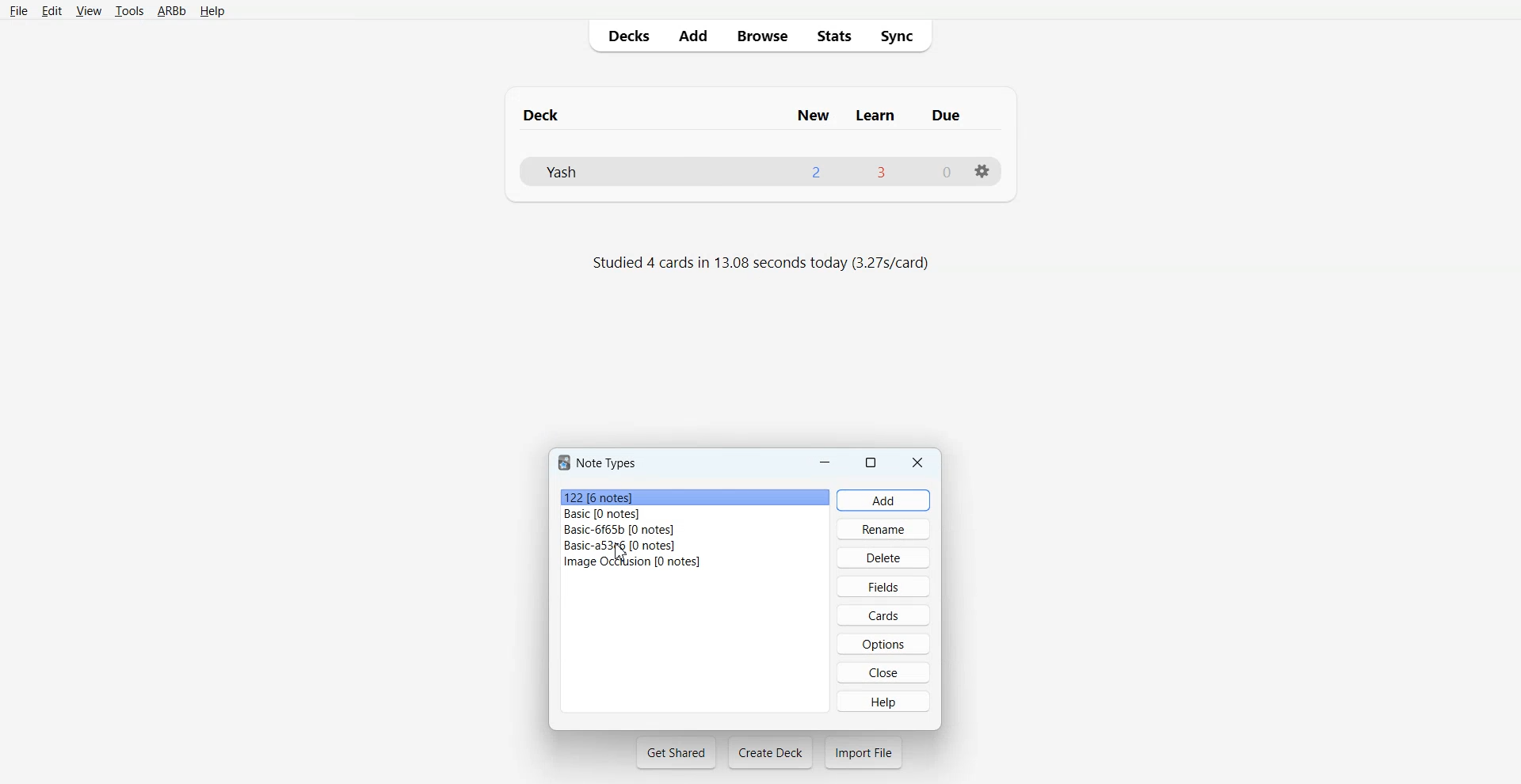  I want to click on Close, so click(918, 462).